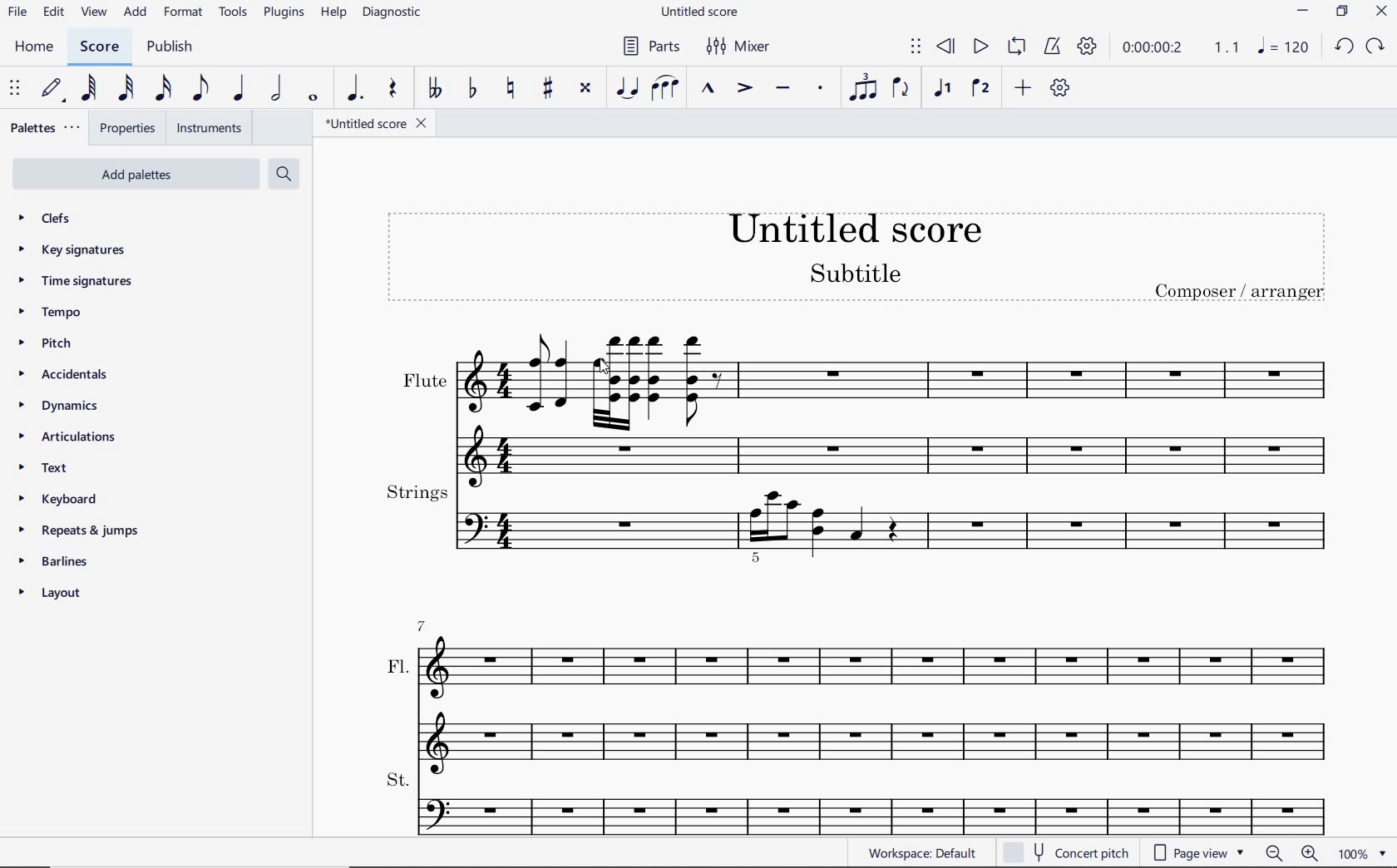 The height and width of the screenshot is (868, 1397). Describe the element at coordinates (1024, 89) in the screenshot. I see `ADD` at that location.